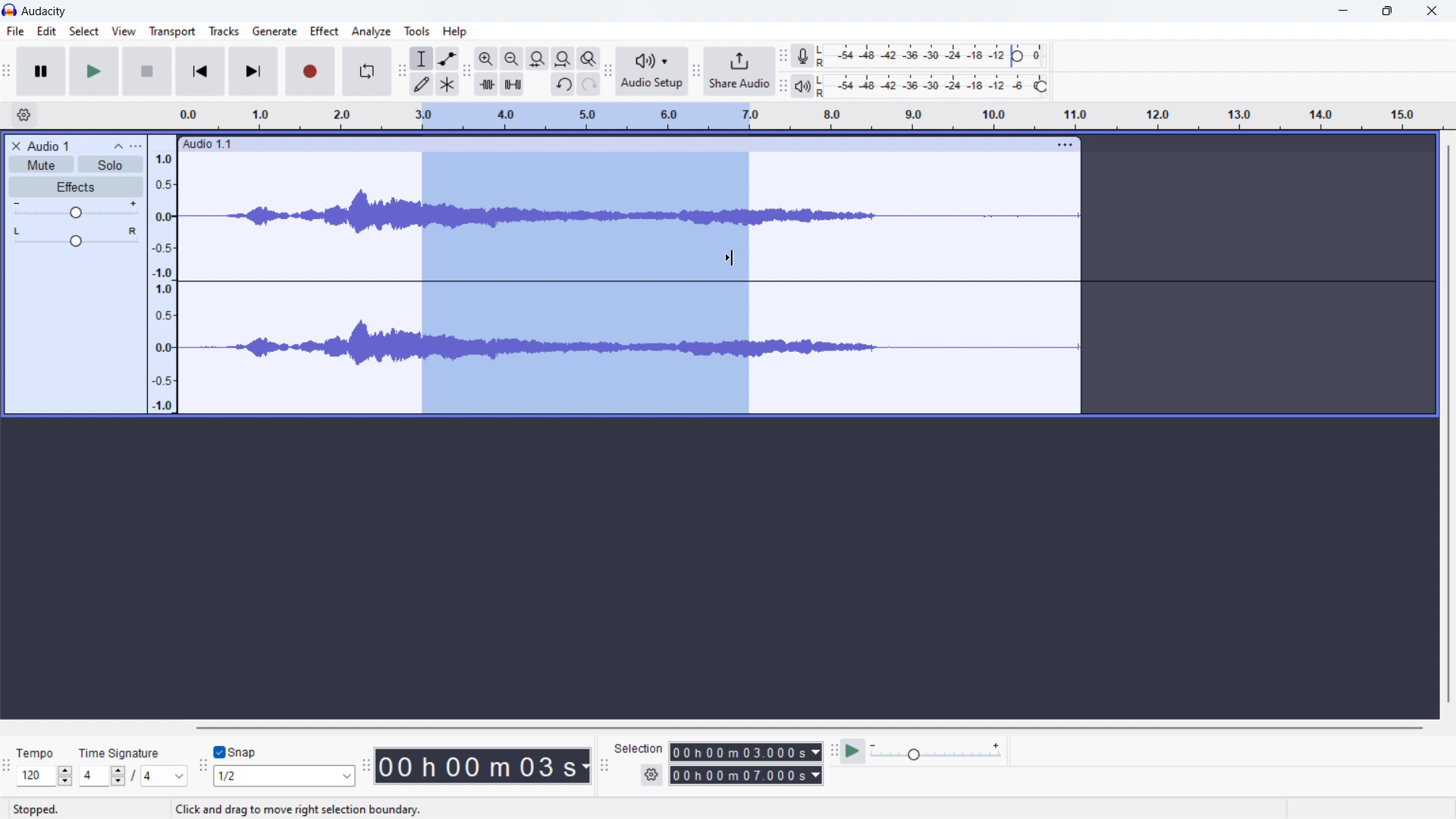  Describe the element at coordinates (466, 72) in the screenshot. I see `edit toolbar` at that location.